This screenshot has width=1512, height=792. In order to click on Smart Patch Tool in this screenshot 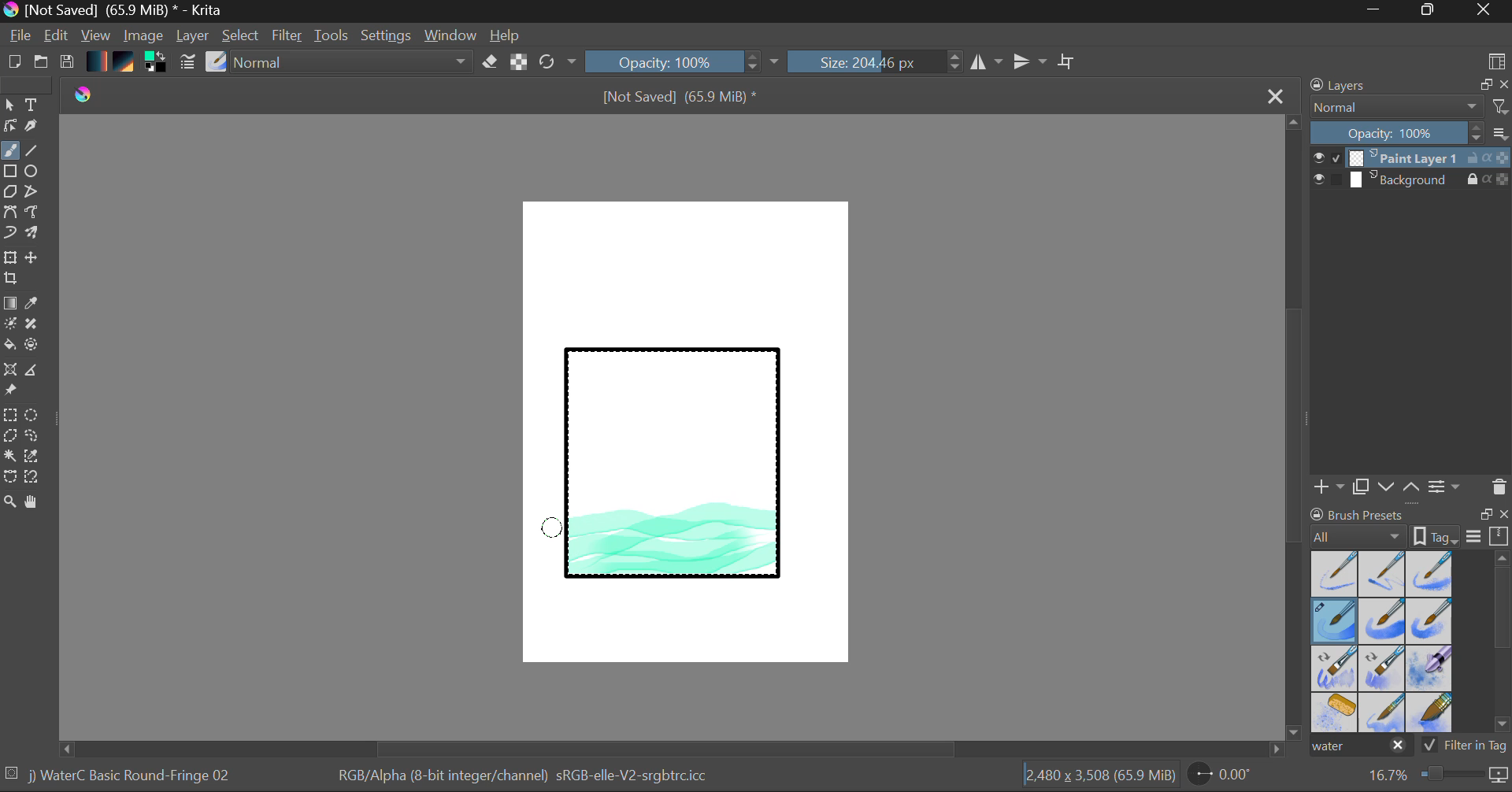, I will do `click(37, 327)`.